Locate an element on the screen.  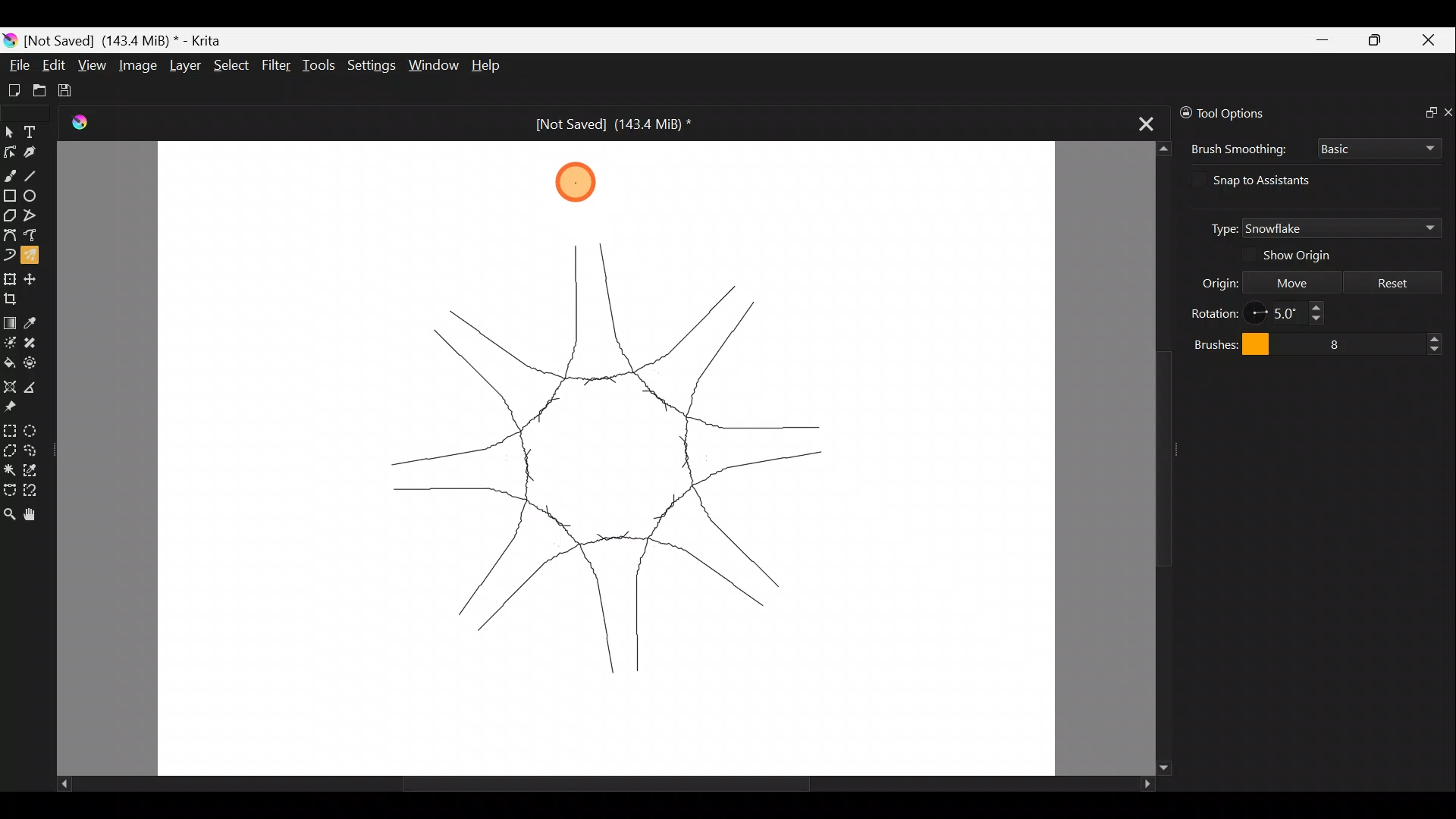
Close docker is located at coordinates (1447, 109).